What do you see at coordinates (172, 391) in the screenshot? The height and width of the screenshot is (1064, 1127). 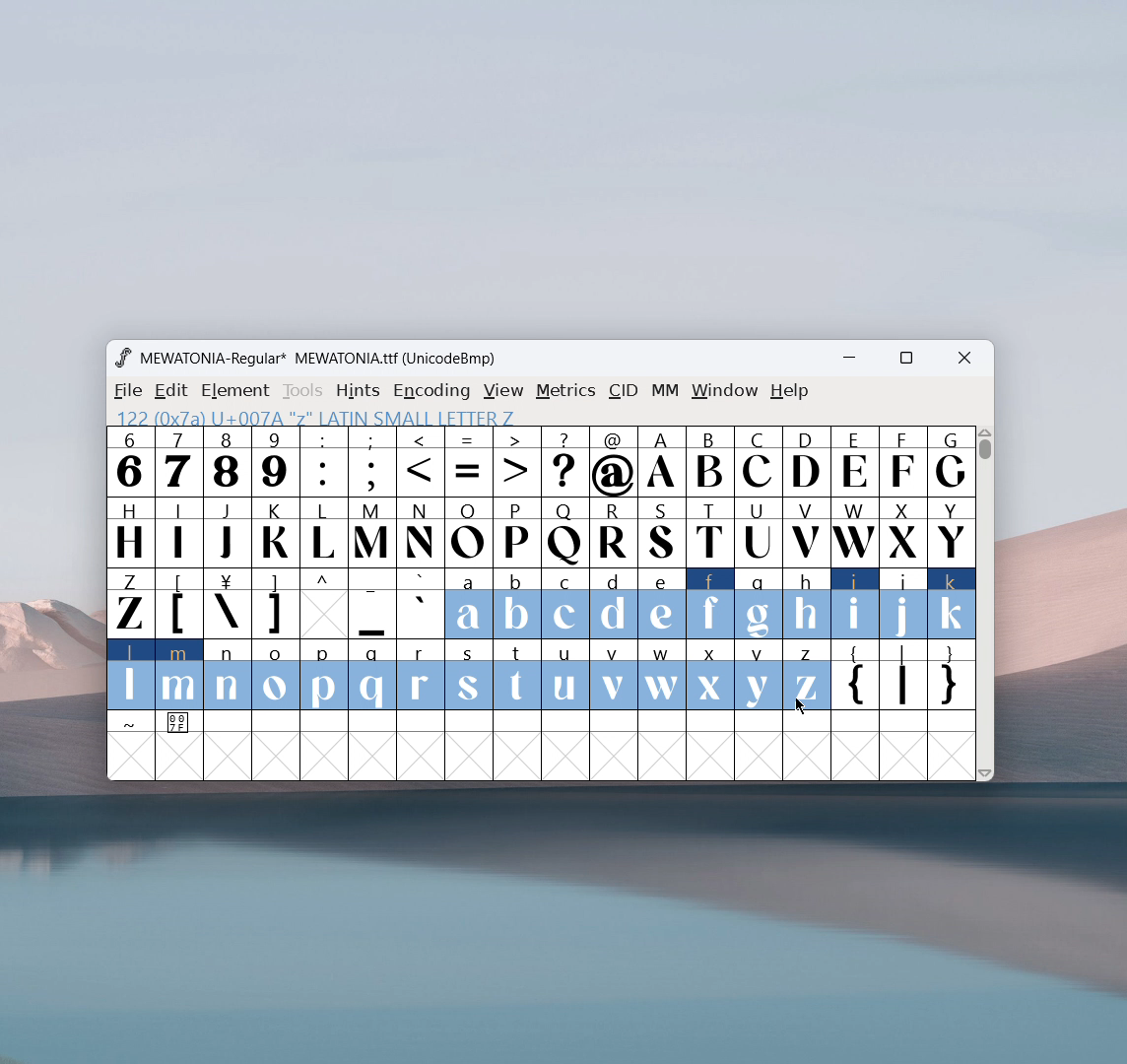 I see `edit` at bounding box center [172, 391].